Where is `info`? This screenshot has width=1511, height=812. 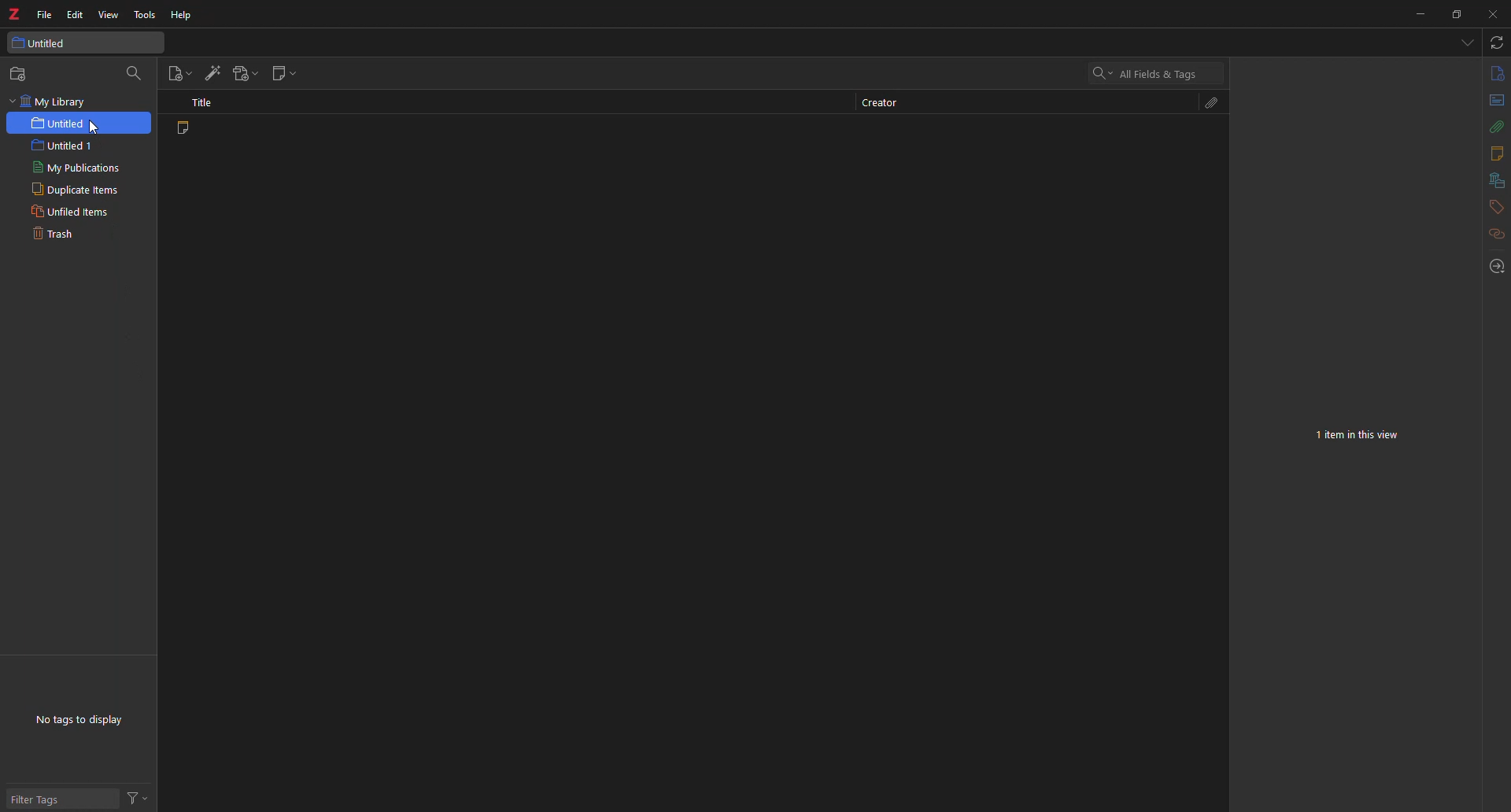 info is located at coordinates (1495, 74).